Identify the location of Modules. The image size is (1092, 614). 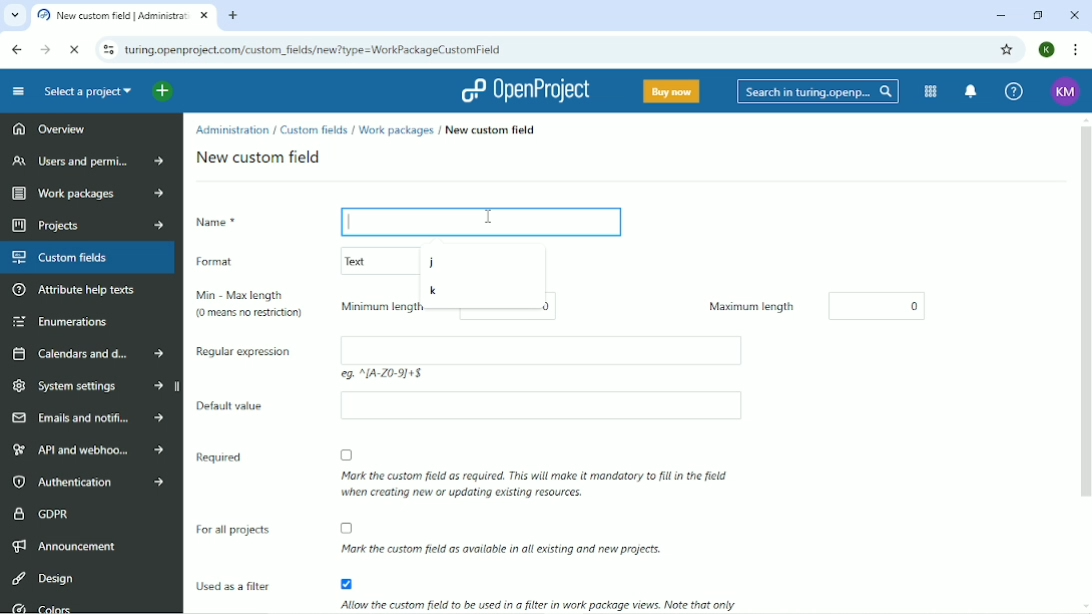
(928, 92).